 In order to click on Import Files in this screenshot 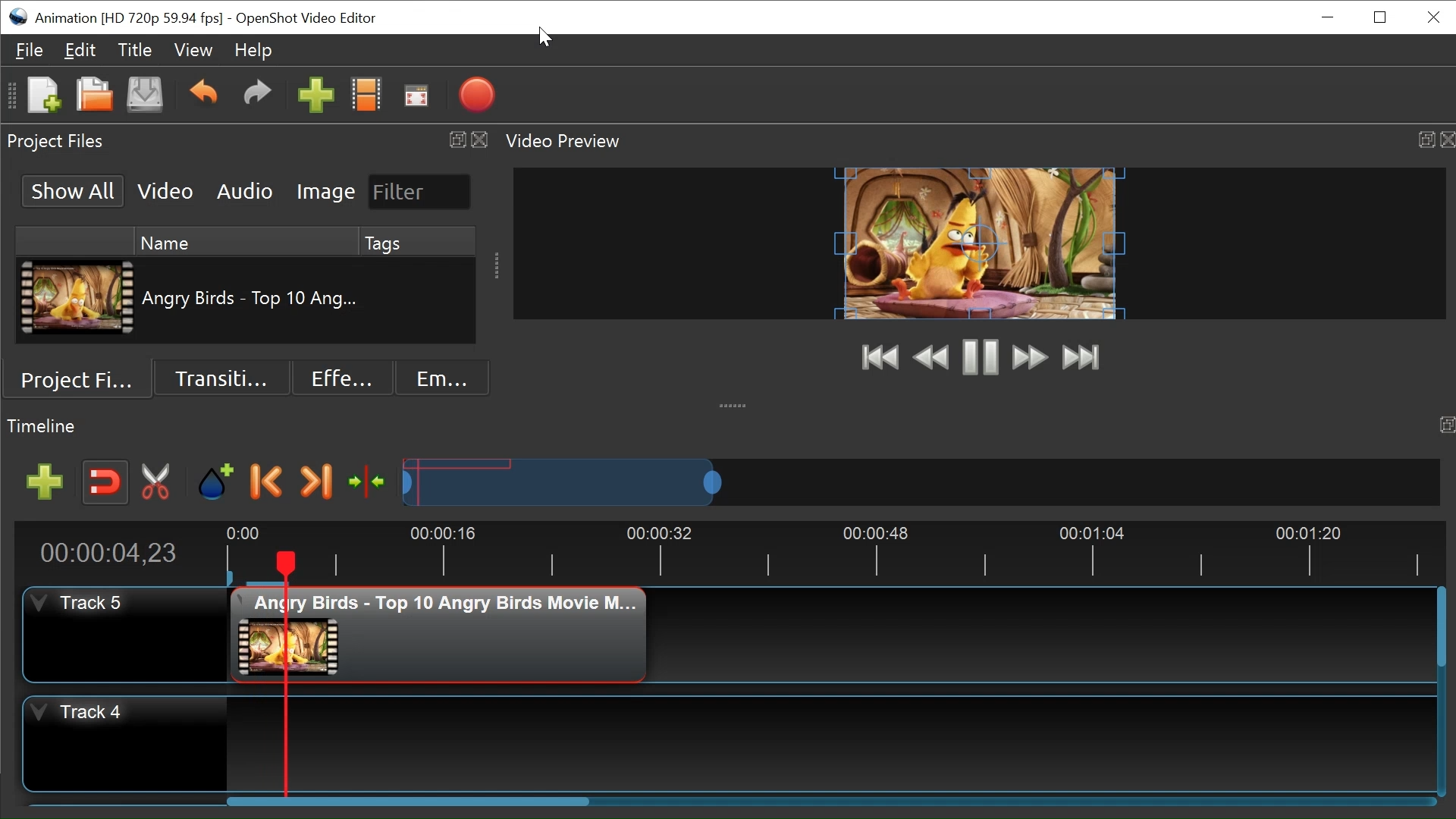, I will do `click(316, 94)`.